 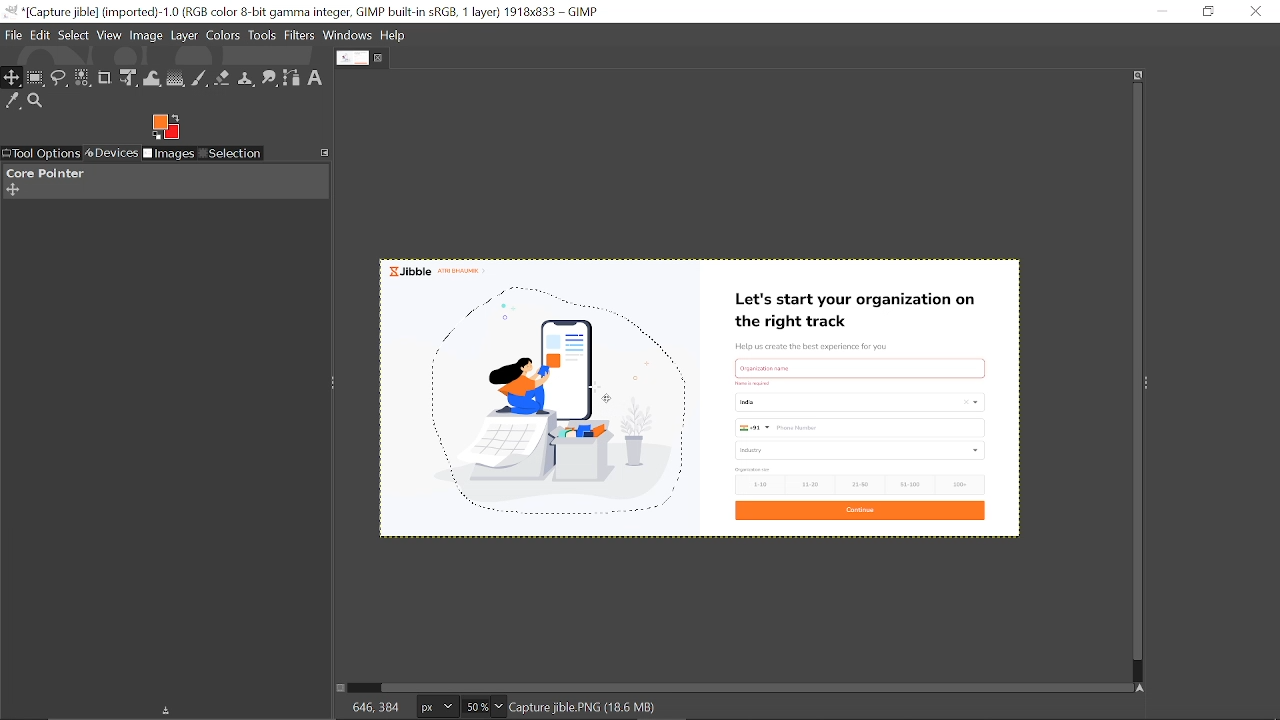 What do you see at coordinates (1161, 10) in the screenshot?
I see `Minimize` at bounding box center [1161, 10].